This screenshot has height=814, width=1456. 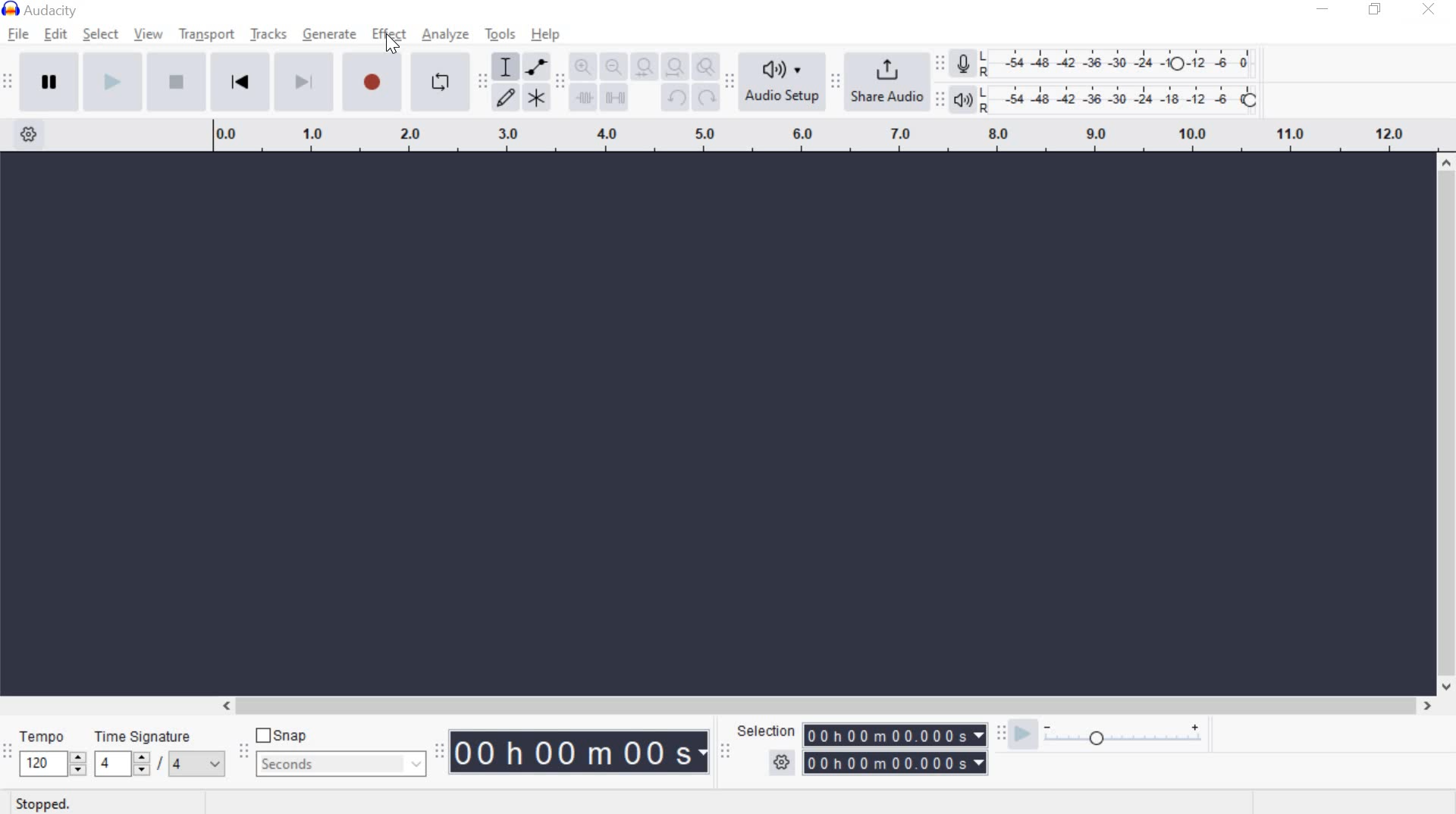 I want to click on Playback Level, so click(x=1123, y=97).